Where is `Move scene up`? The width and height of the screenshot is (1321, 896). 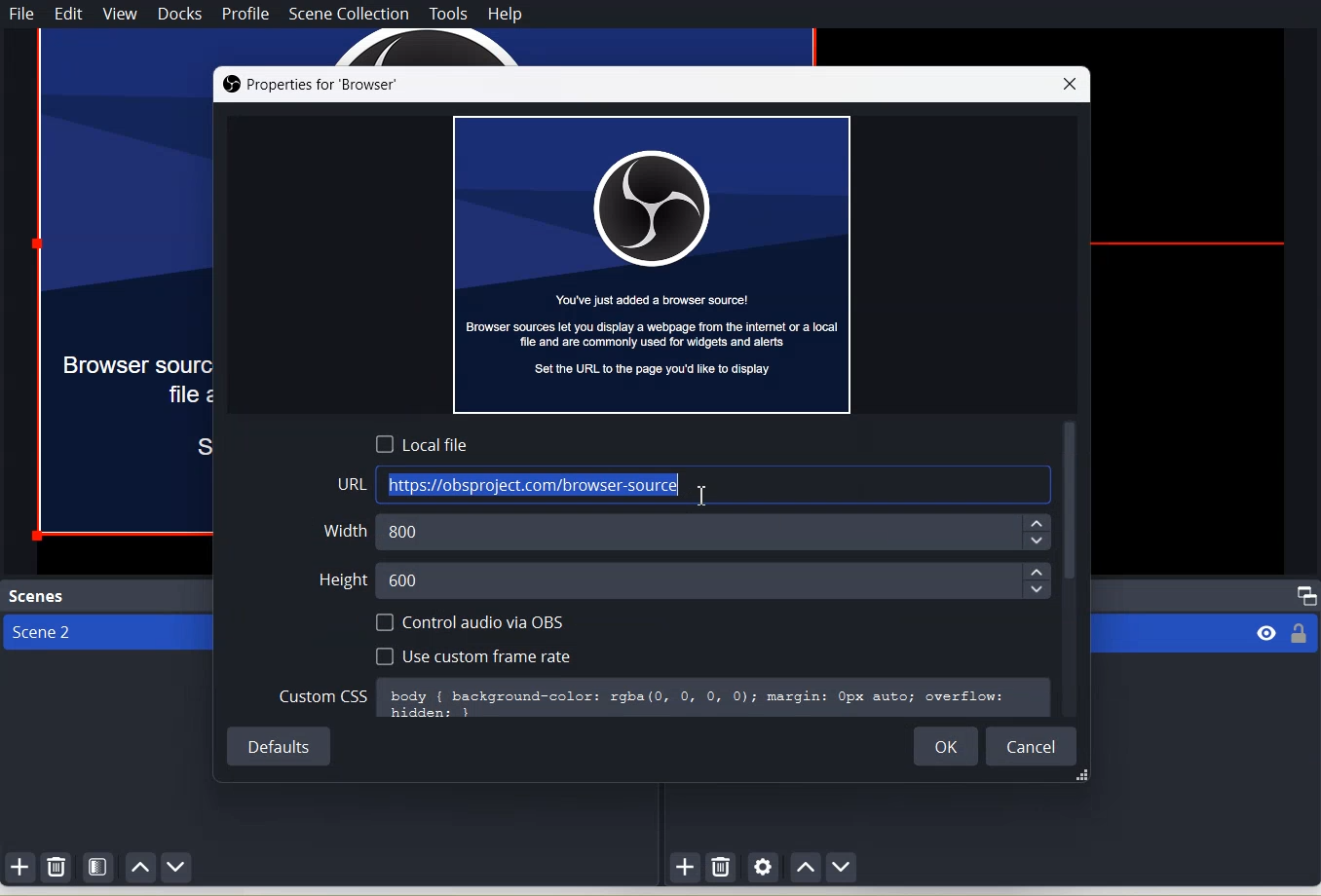
Move scene up is located at coordinates (142, 867).